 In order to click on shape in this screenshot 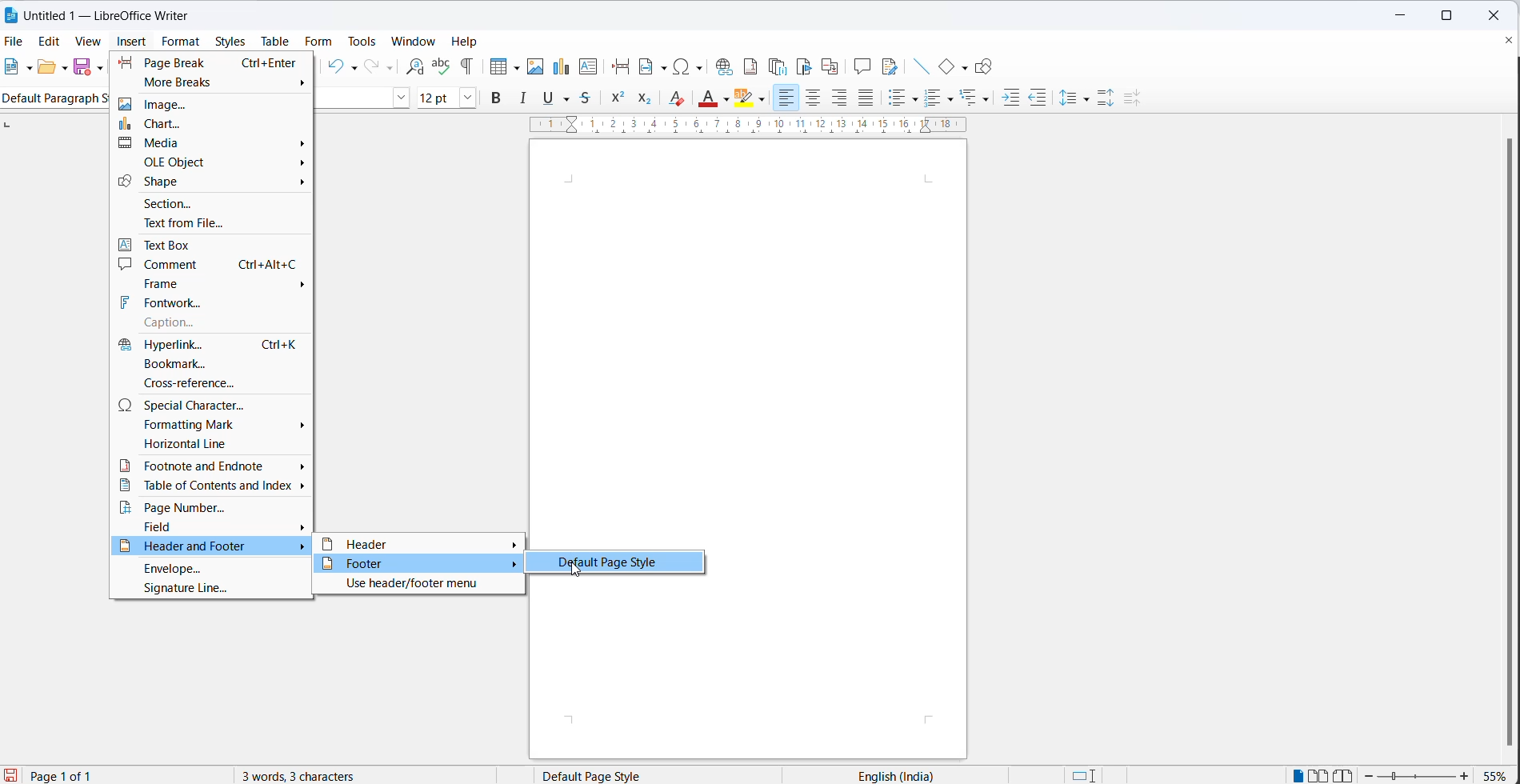, I will do `click(210, 184)`.